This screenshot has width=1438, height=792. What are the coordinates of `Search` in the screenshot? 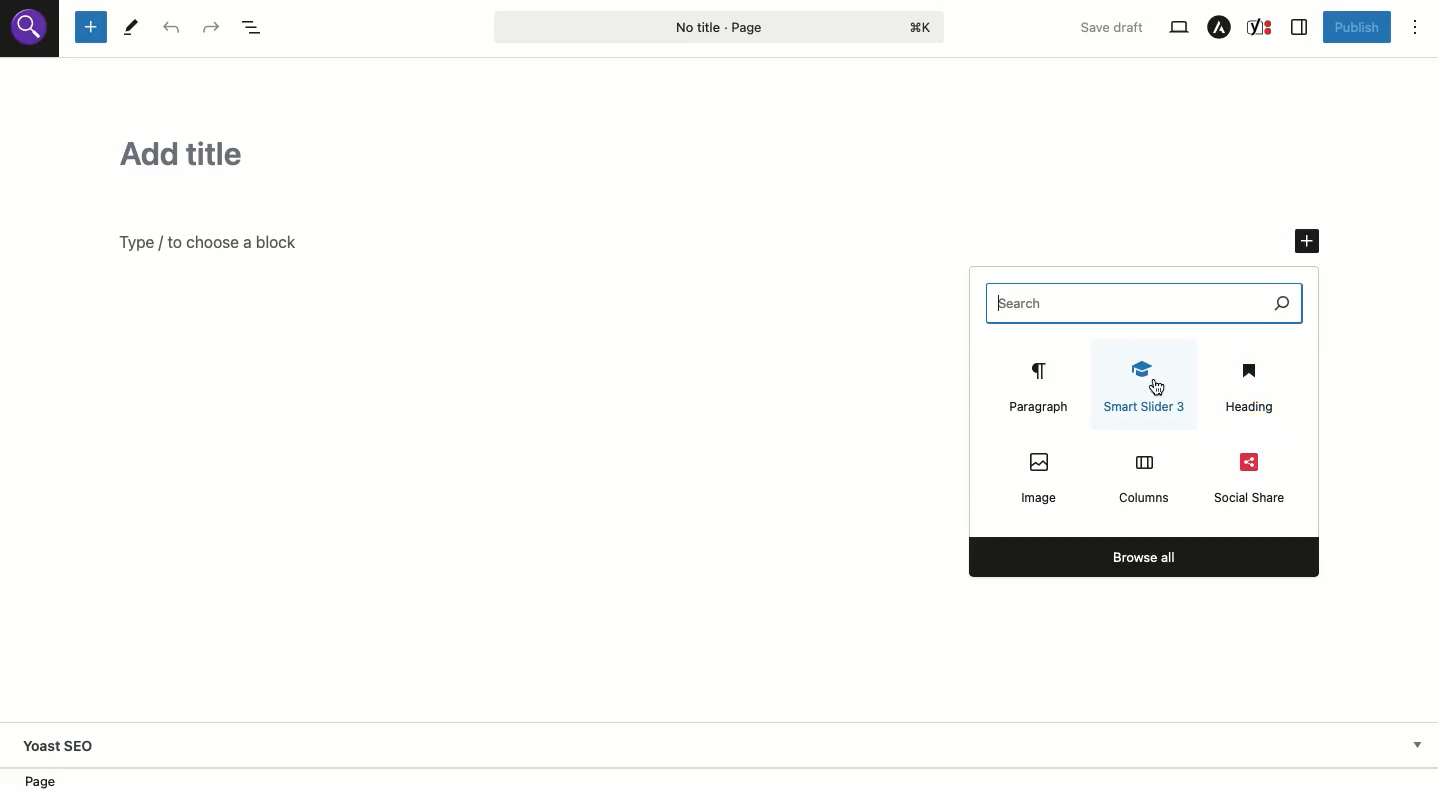 It's located at (1161, 303).